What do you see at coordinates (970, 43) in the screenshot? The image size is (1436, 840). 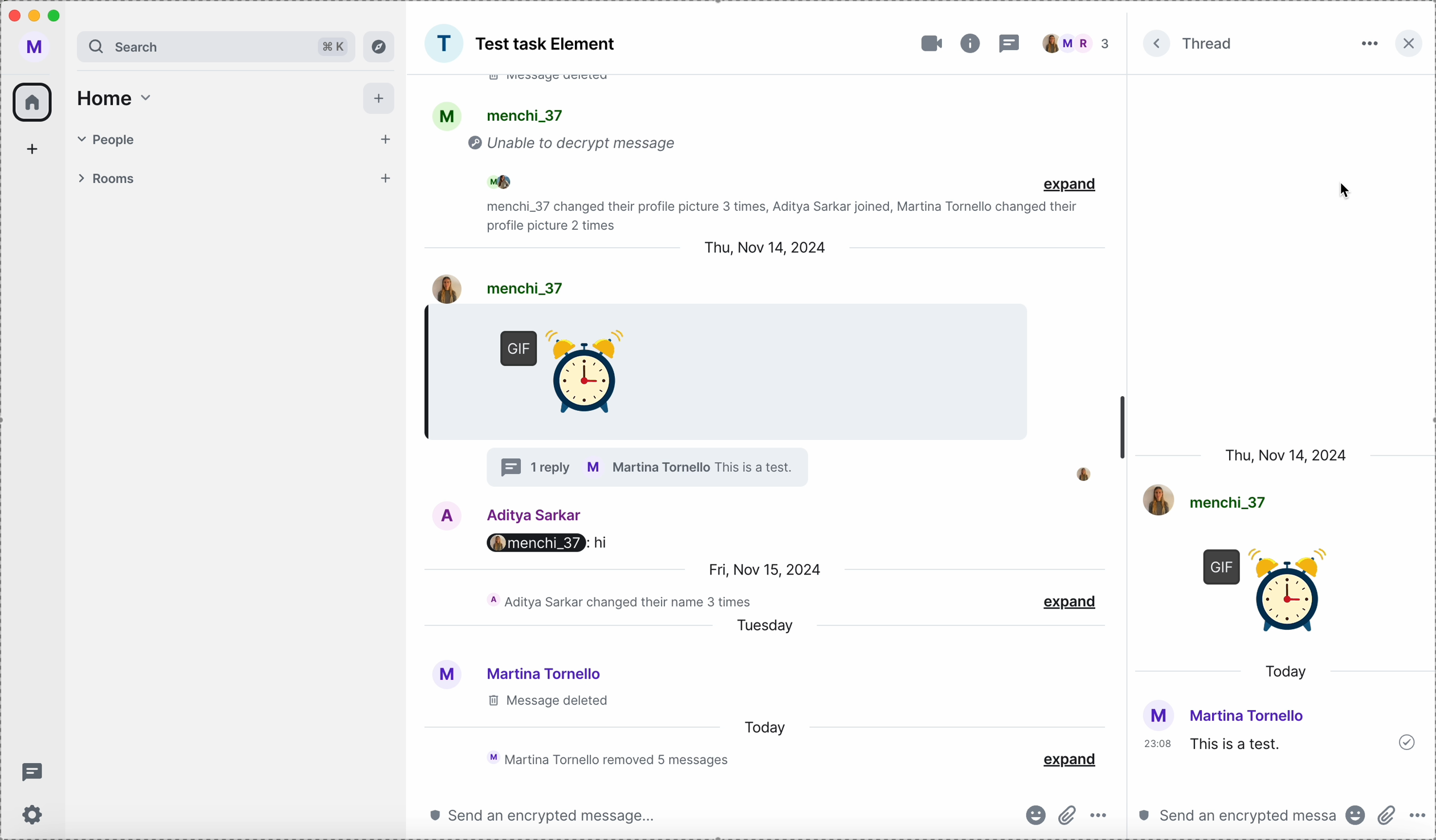 I see `information` at bounding box center [970, 43].